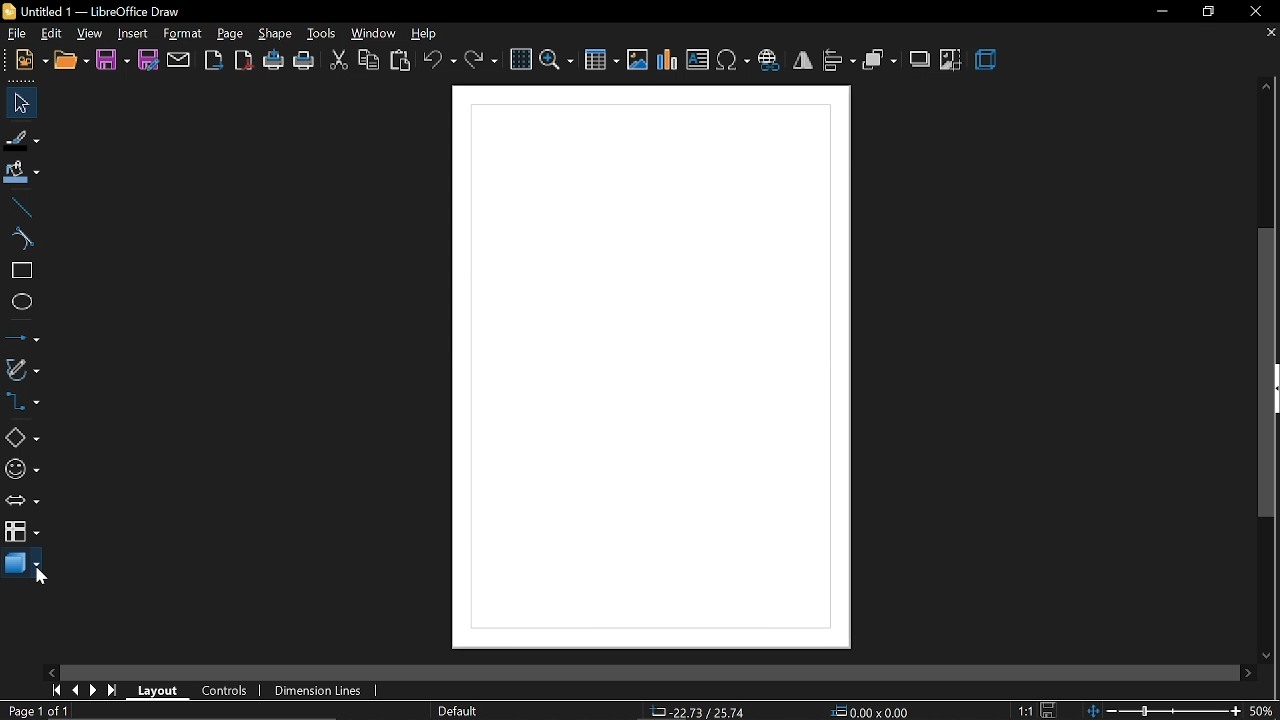 The image size is (1280, 720). What do you see at coordinates (16, 34) in the screenshot?
I see `file` at bounding box center [16, 34].